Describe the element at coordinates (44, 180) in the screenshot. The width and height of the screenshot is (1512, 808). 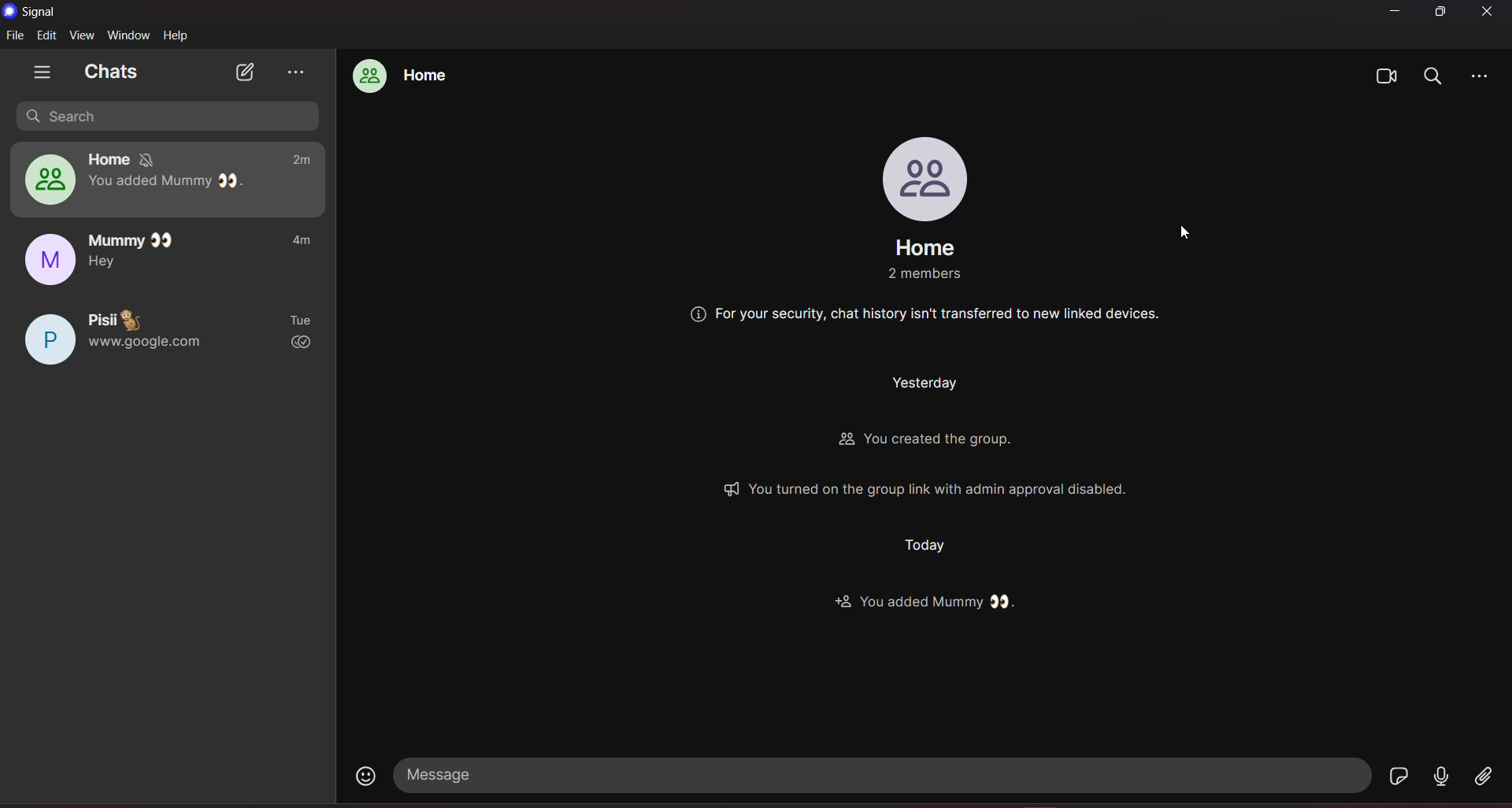
I see `home group chat profile picture` at that location.